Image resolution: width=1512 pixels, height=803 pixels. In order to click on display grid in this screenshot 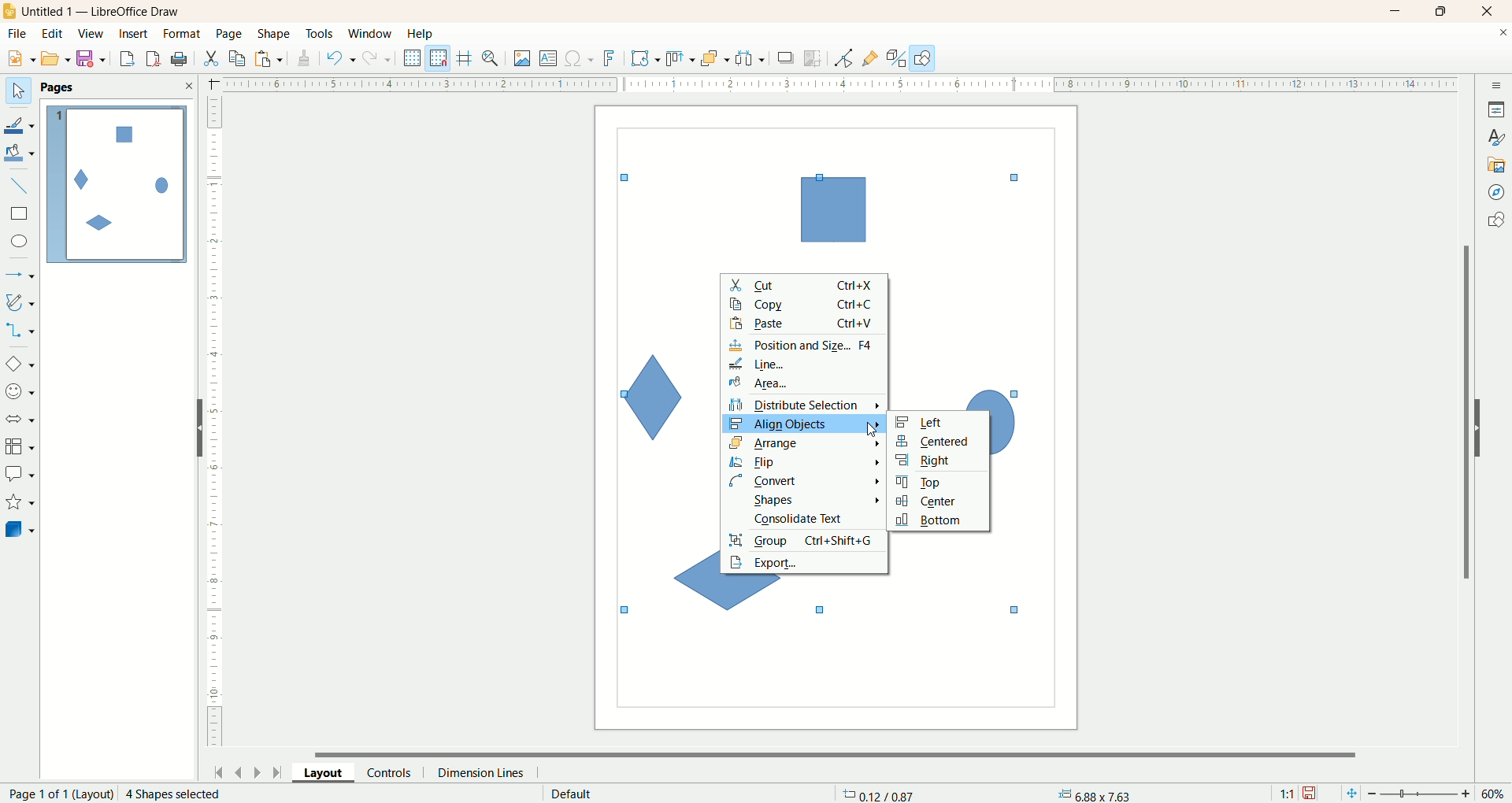, I will do `click(413, 57)`.